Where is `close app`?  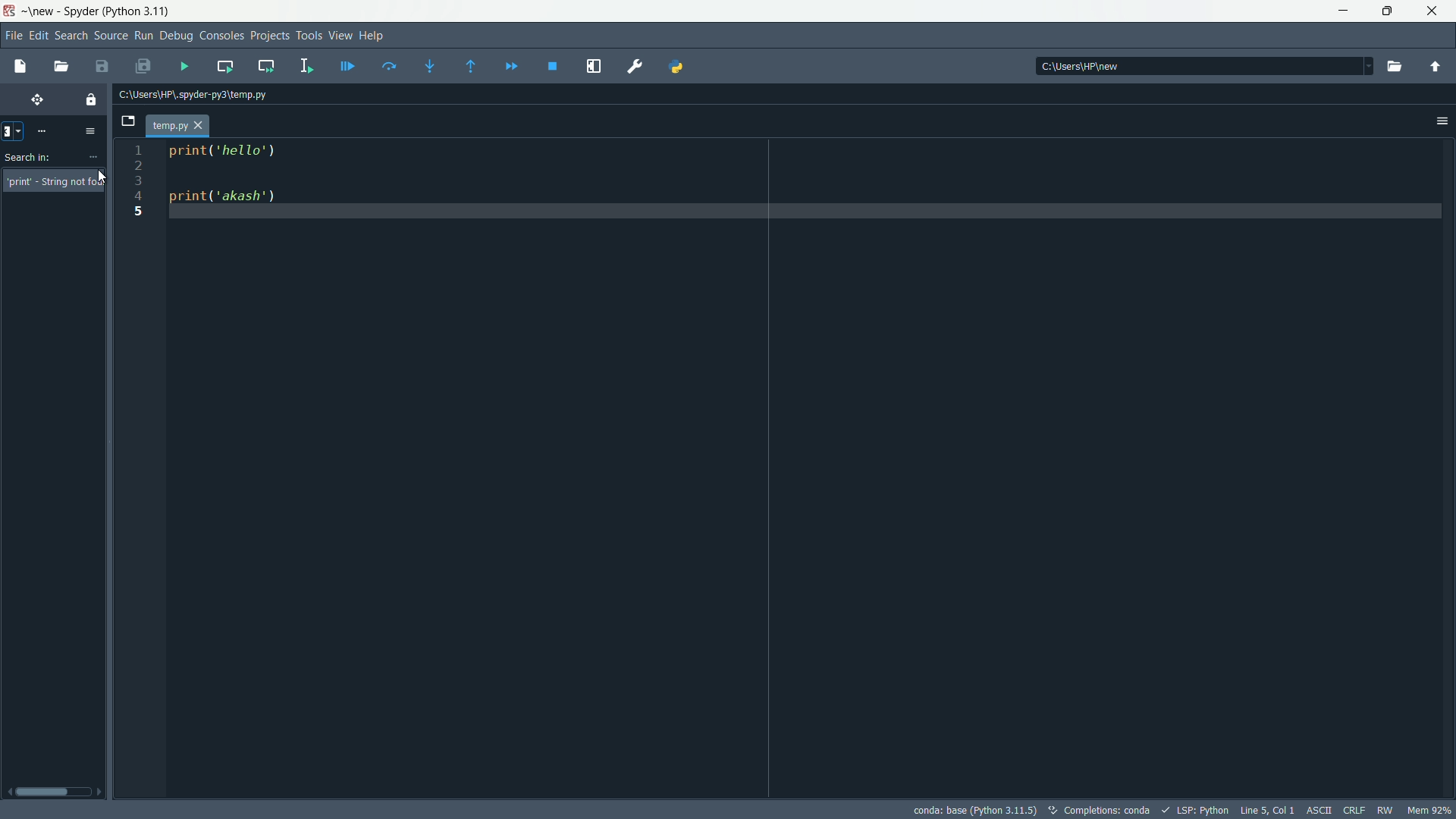 close app is located at coordinates (1432, 11).